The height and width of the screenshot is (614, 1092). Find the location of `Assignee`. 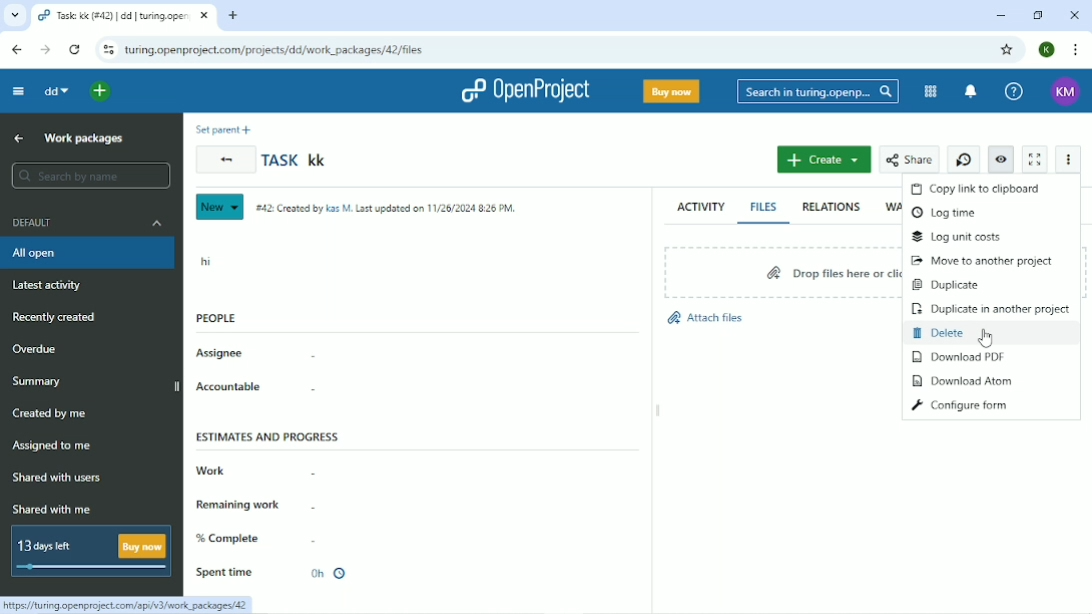

Assignee is located at coordinates (259, 356).